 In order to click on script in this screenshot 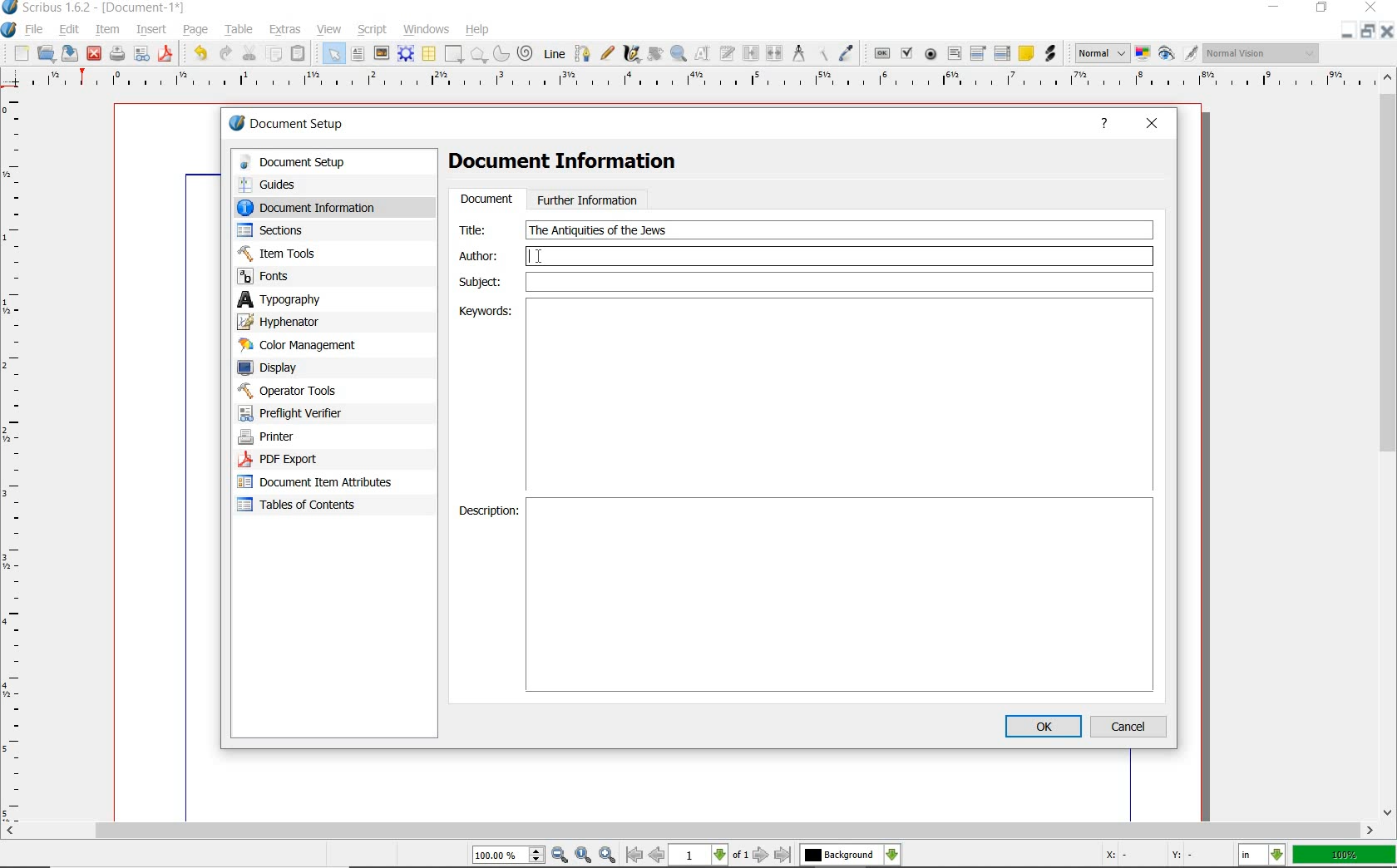, I will do `click(373, 30)`.